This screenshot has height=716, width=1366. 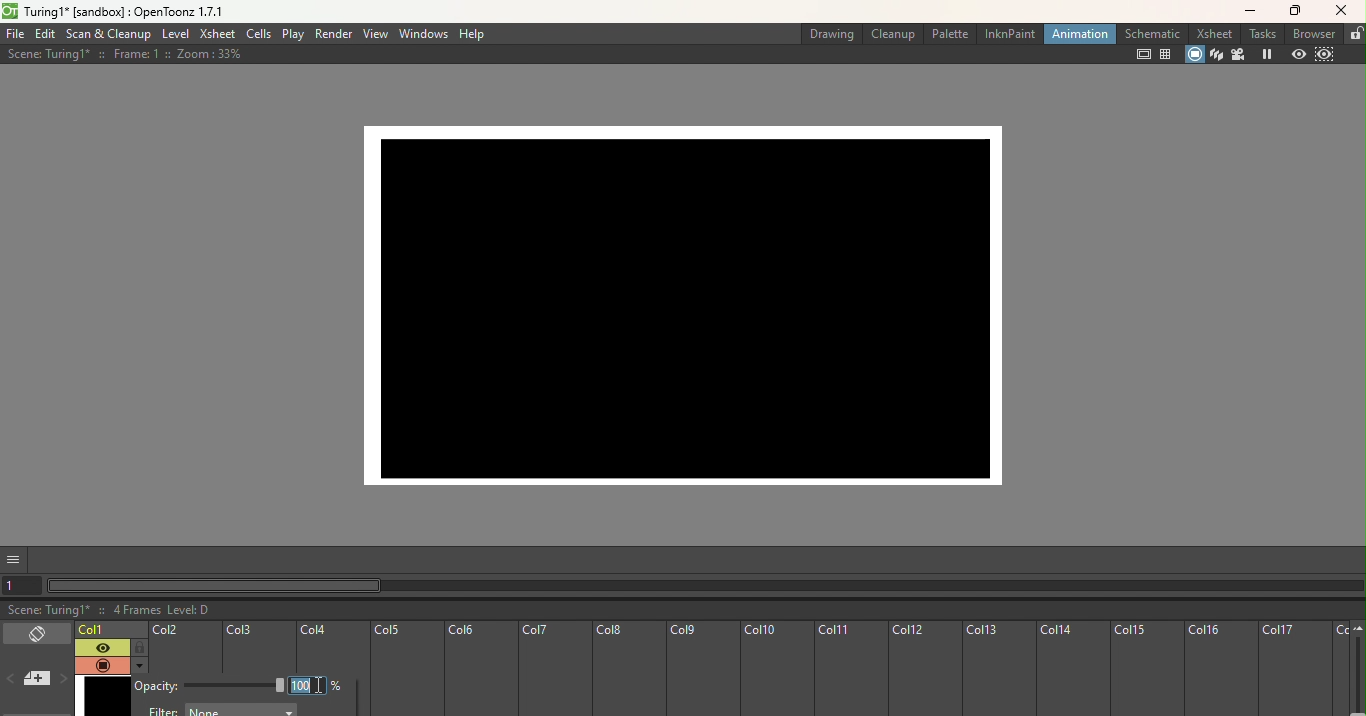 I want to click on zoom in/out of timeline, so click(x=1357, y=676).